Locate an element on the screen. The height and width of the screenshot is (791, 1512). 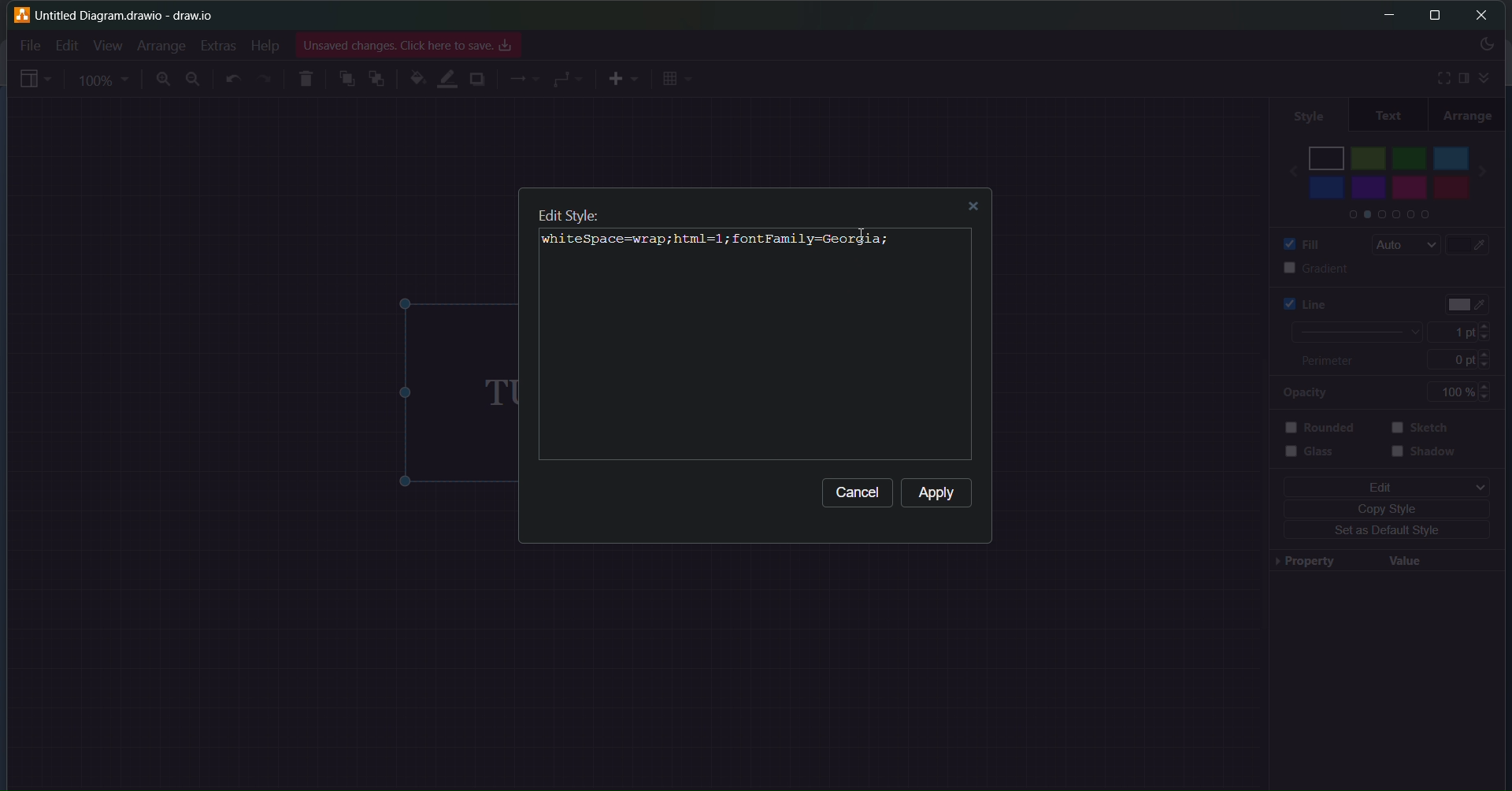
delete is located at coordinates (308, 76).